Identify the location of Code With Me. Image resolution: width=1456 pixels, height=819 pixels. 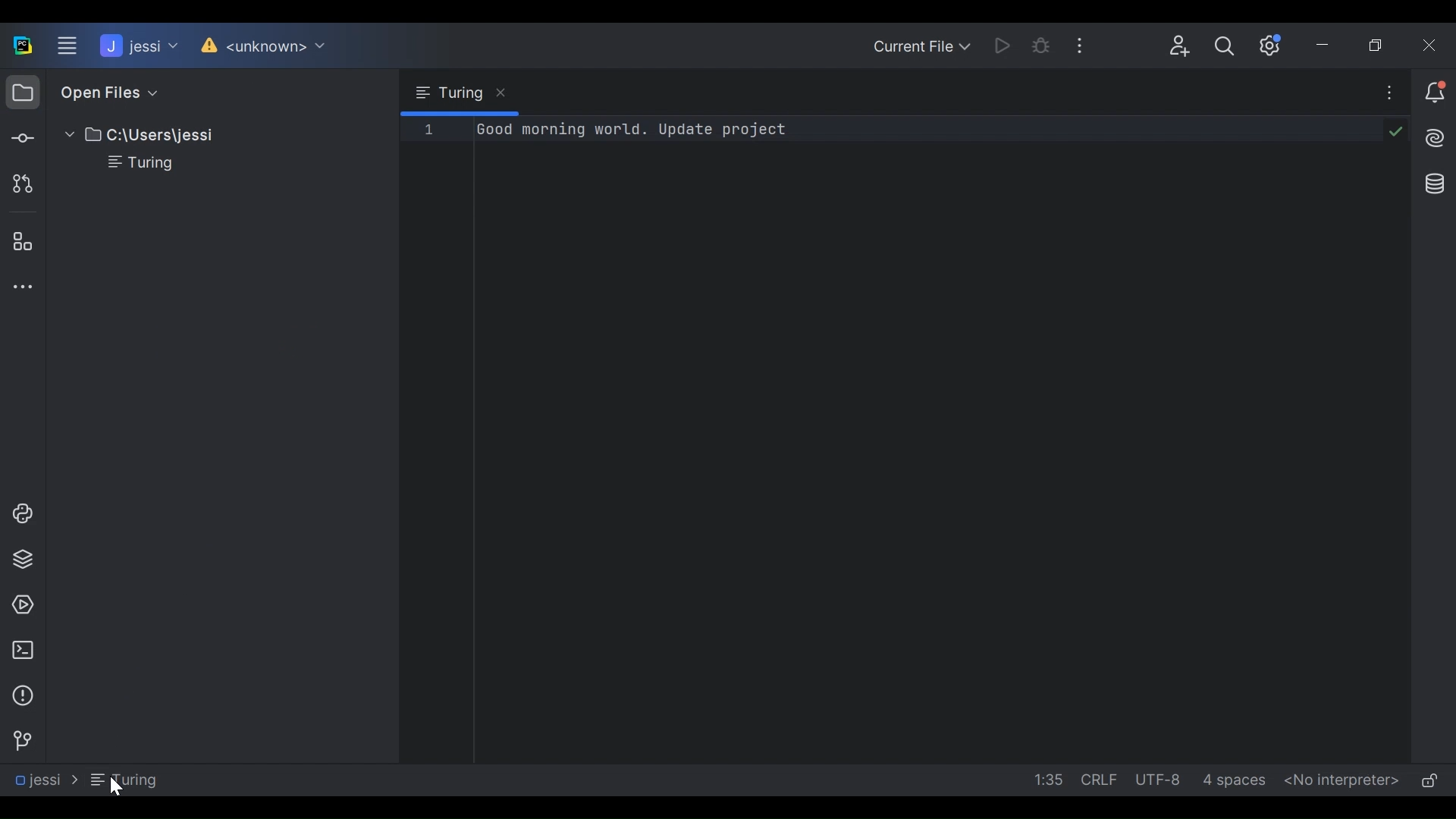
(1181, 46).